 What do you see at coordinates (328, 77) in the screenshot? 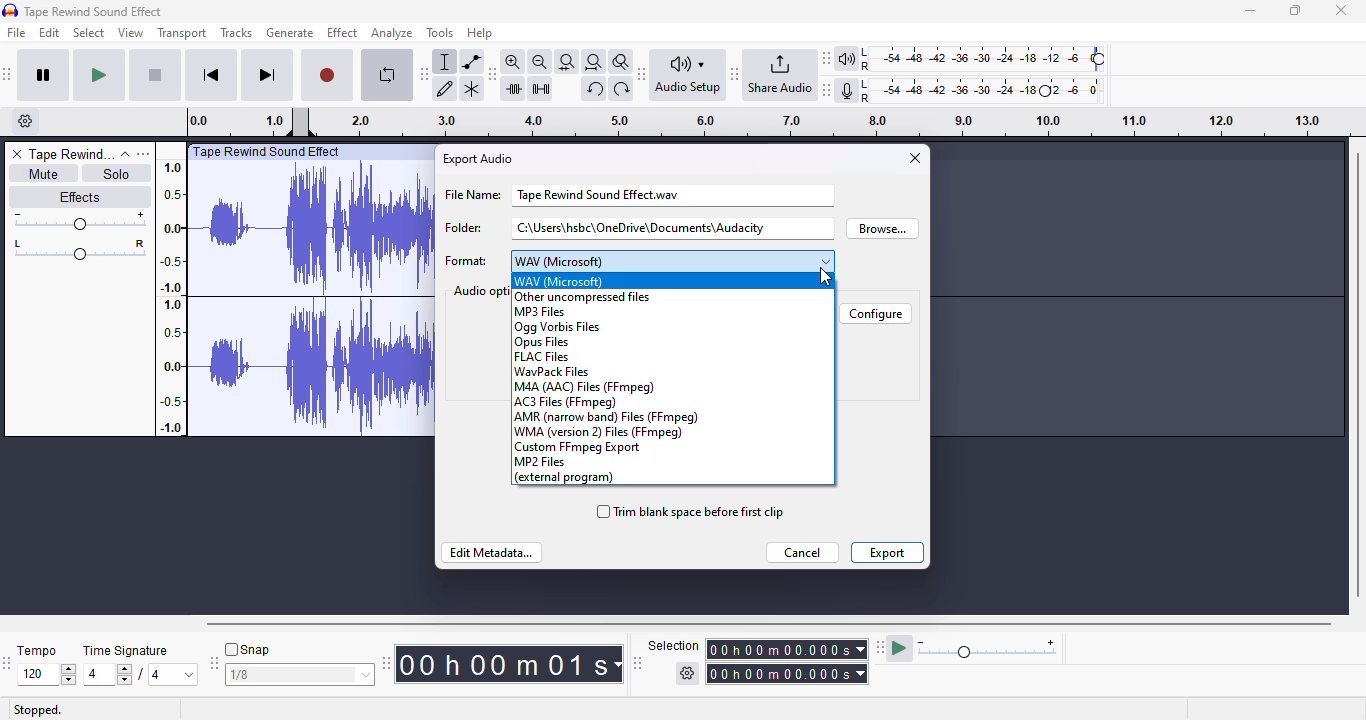
I see `record` at bounding box center [328, 77].